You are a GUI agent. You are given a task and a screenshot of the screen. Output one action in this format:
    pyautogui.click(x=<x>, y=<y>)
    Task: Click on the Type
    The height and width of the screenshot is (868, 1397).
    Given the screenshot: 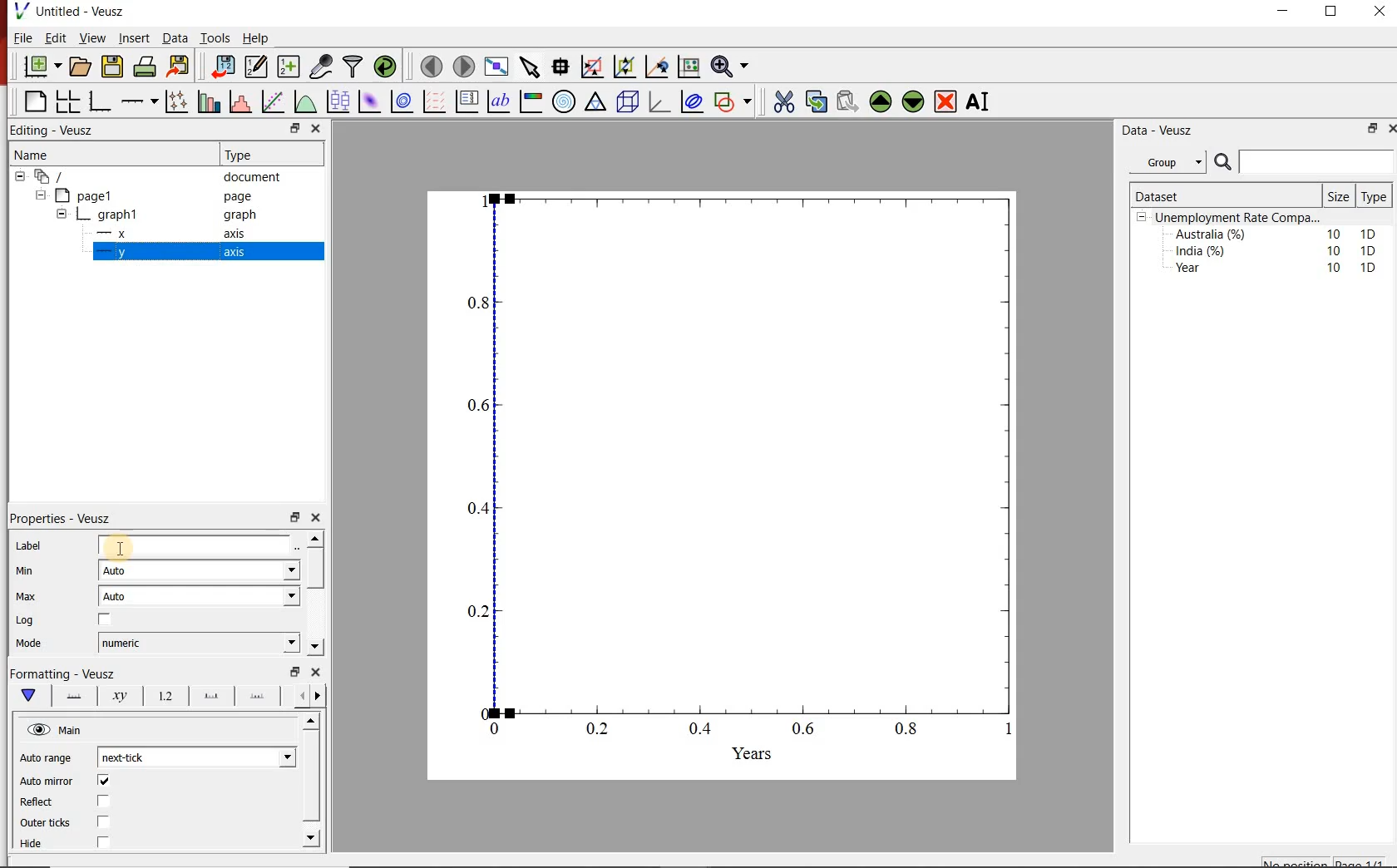 What is the action you would take?
    pyautogui.click(x=1373, y=197)
    